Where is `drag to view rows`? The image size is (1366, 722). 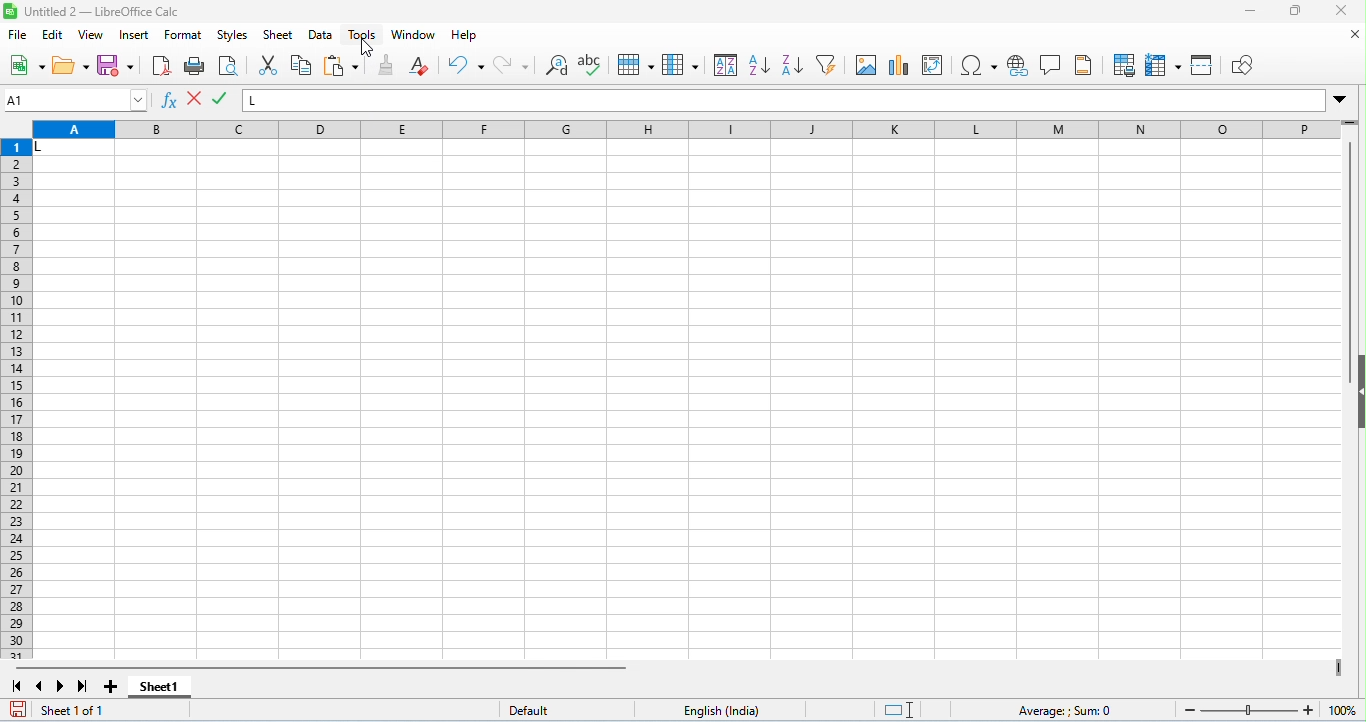 drag to view rows is located at coordinates (1350, 122).